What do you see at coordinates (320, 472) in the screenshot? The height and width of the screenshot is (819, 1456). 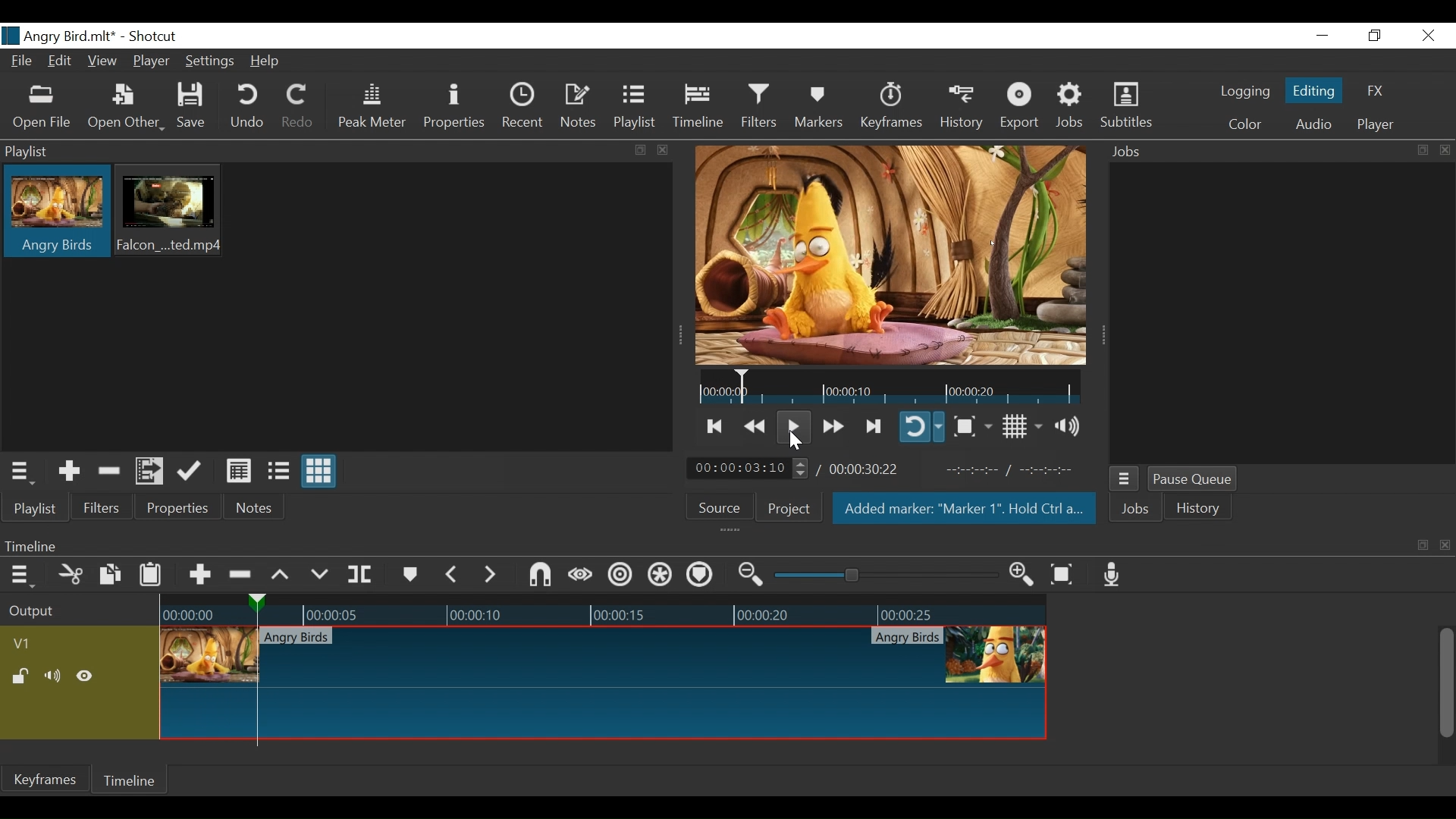 I see `View as icons` at bounding box center [320, 472].